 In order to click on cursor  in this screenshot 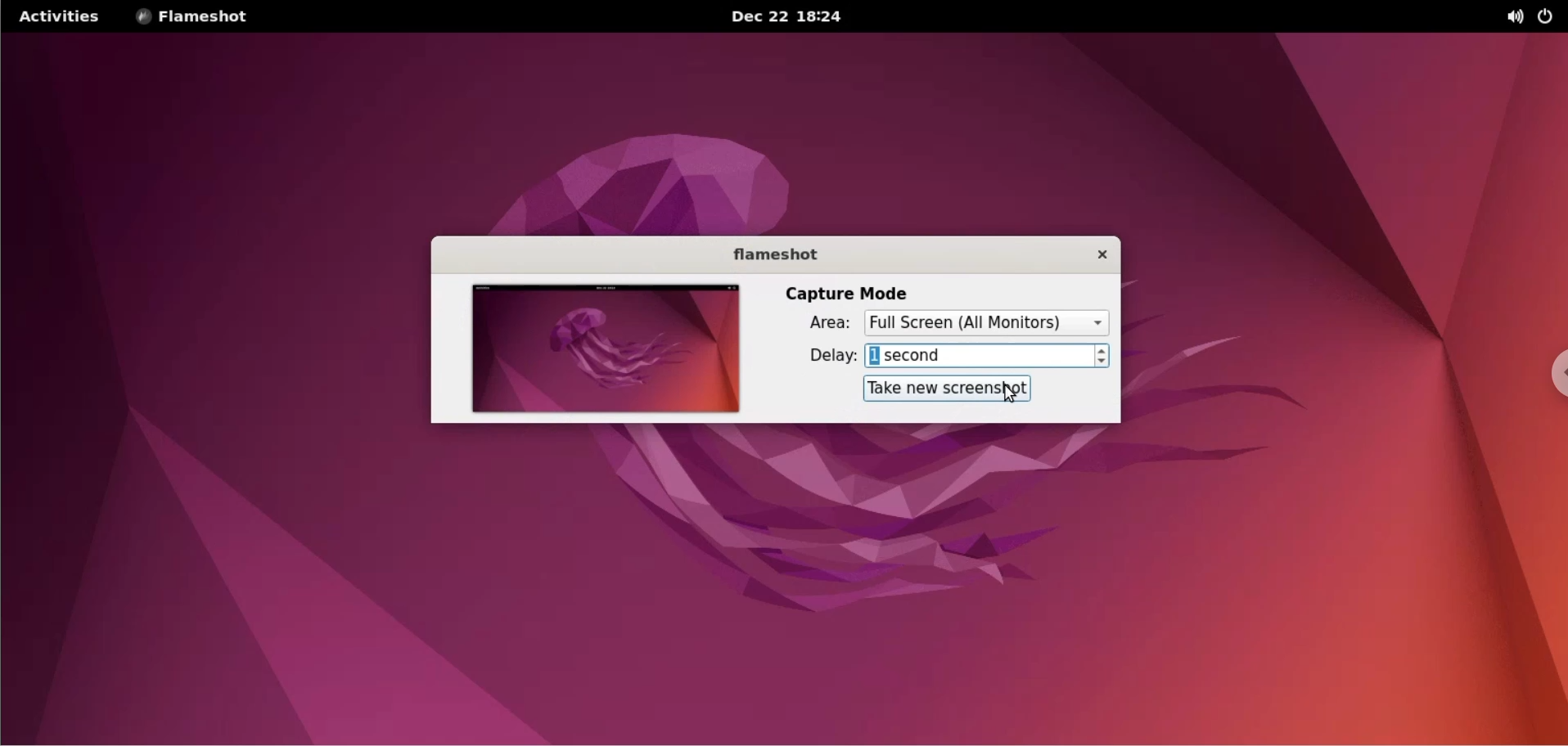, I will do `click(1013, 394)`.